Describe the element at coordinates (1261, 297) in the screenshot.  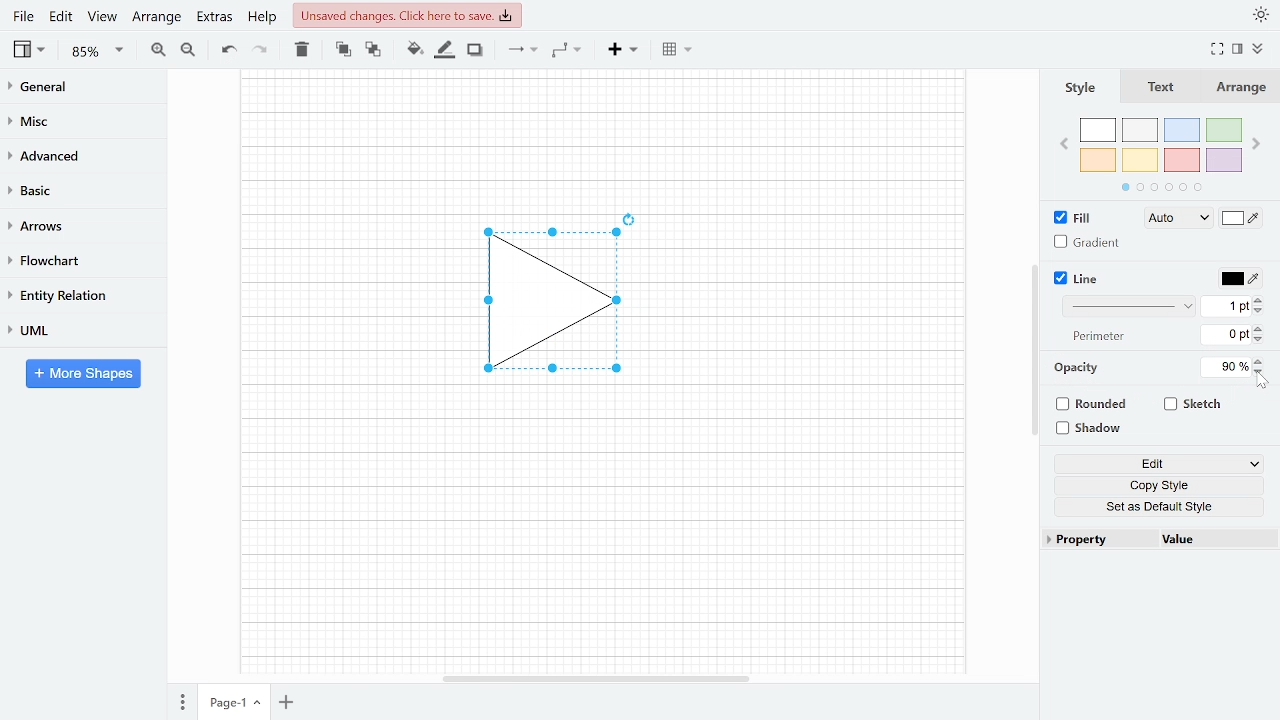
I see `INcrease line width` at that location.